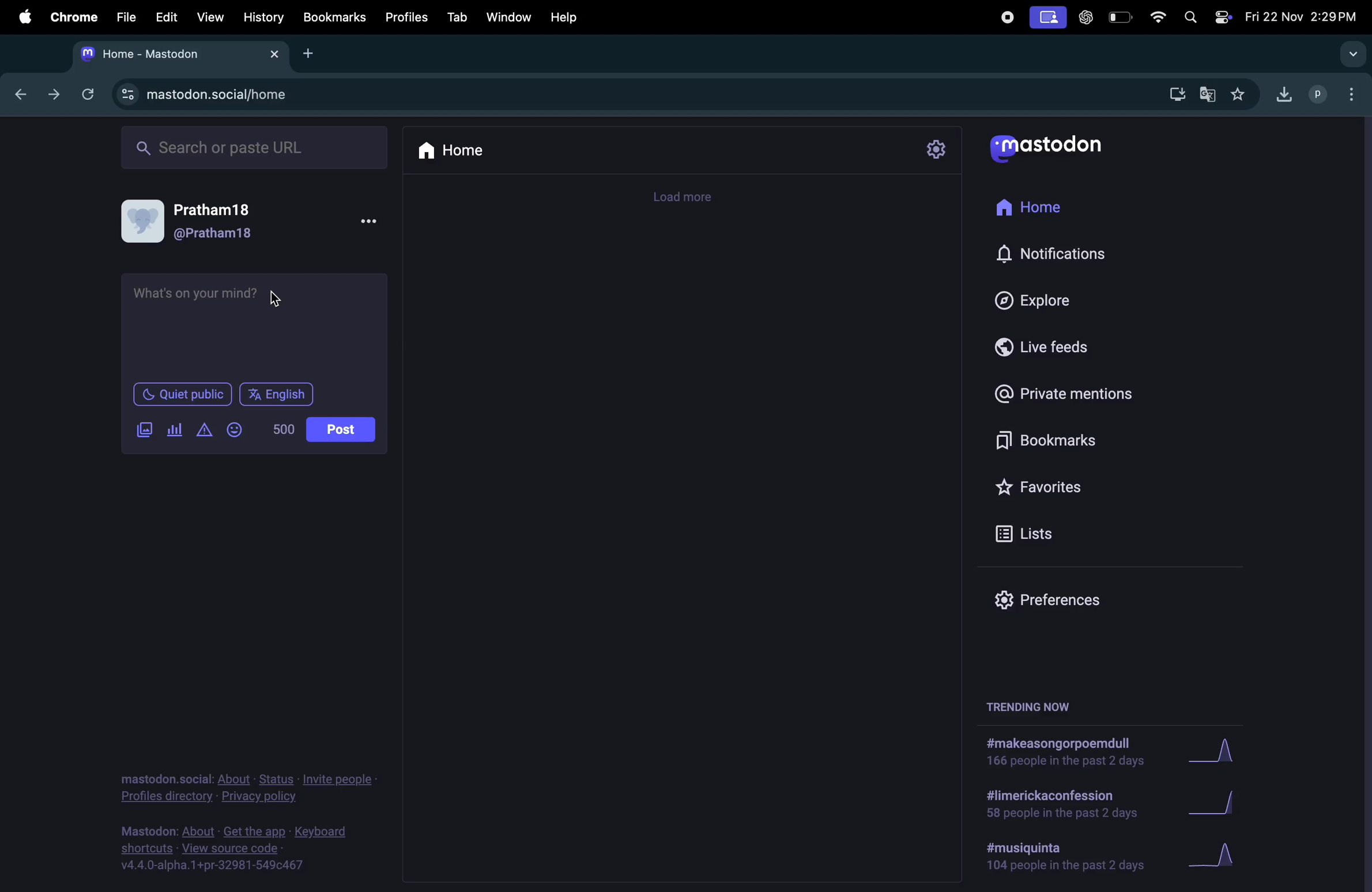 The image size is (1372, 892). I want to click on profiles, so click(404, 17).